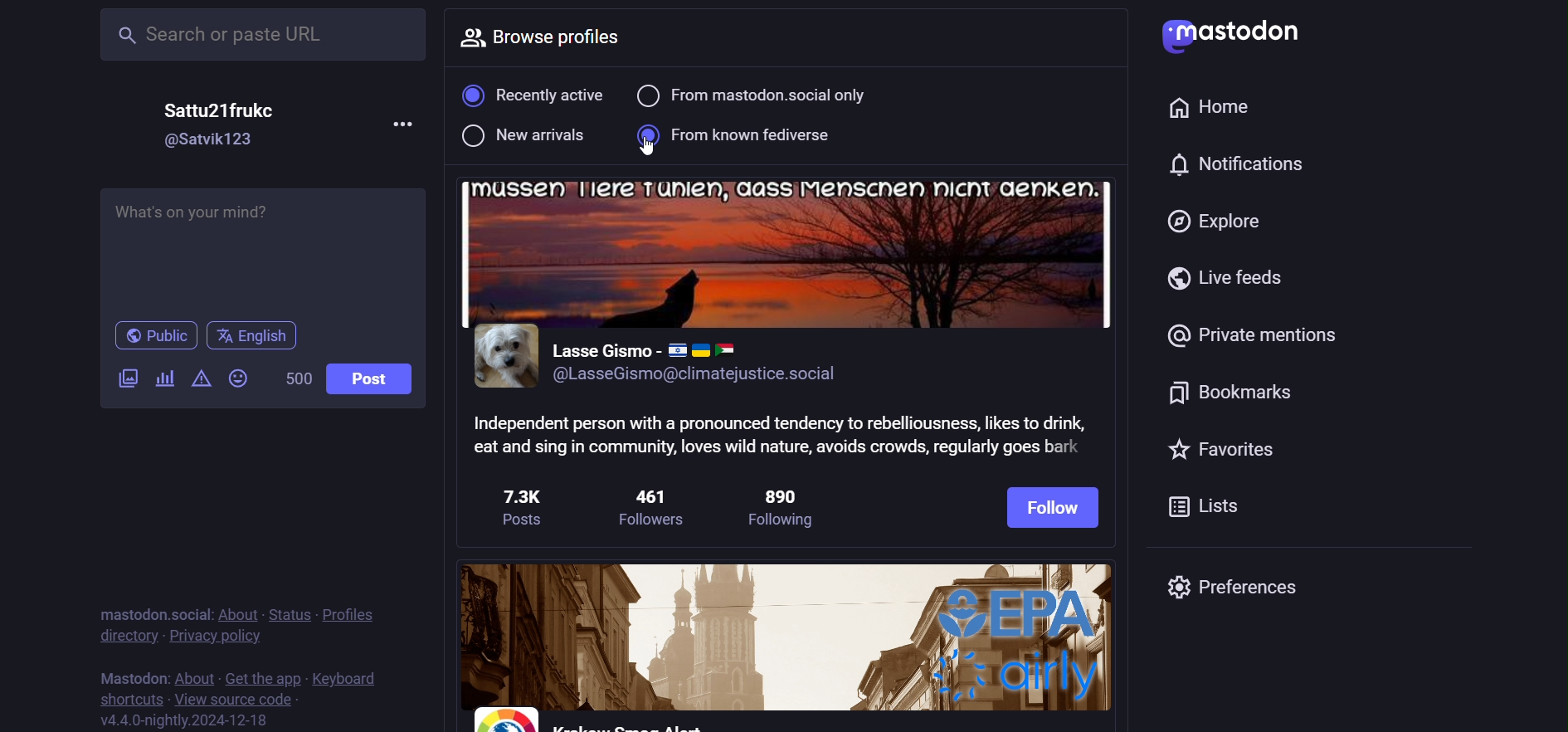 This screenshot has height=732, width=1568. Describe the element at coordinates (1234, 280) in the screenshot. I see `live feed` at that location.